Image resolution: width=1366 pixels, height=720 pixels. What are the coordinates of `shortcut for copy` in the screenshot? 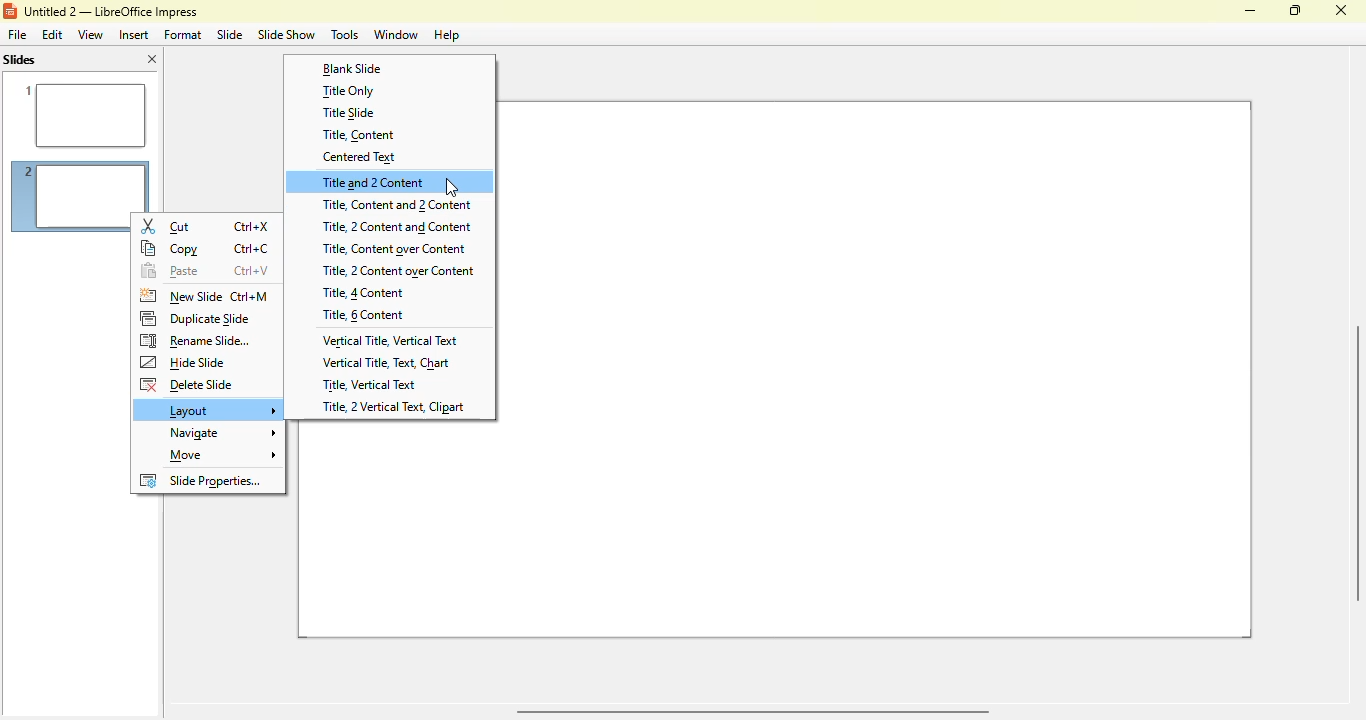 It's located at (251, 248).